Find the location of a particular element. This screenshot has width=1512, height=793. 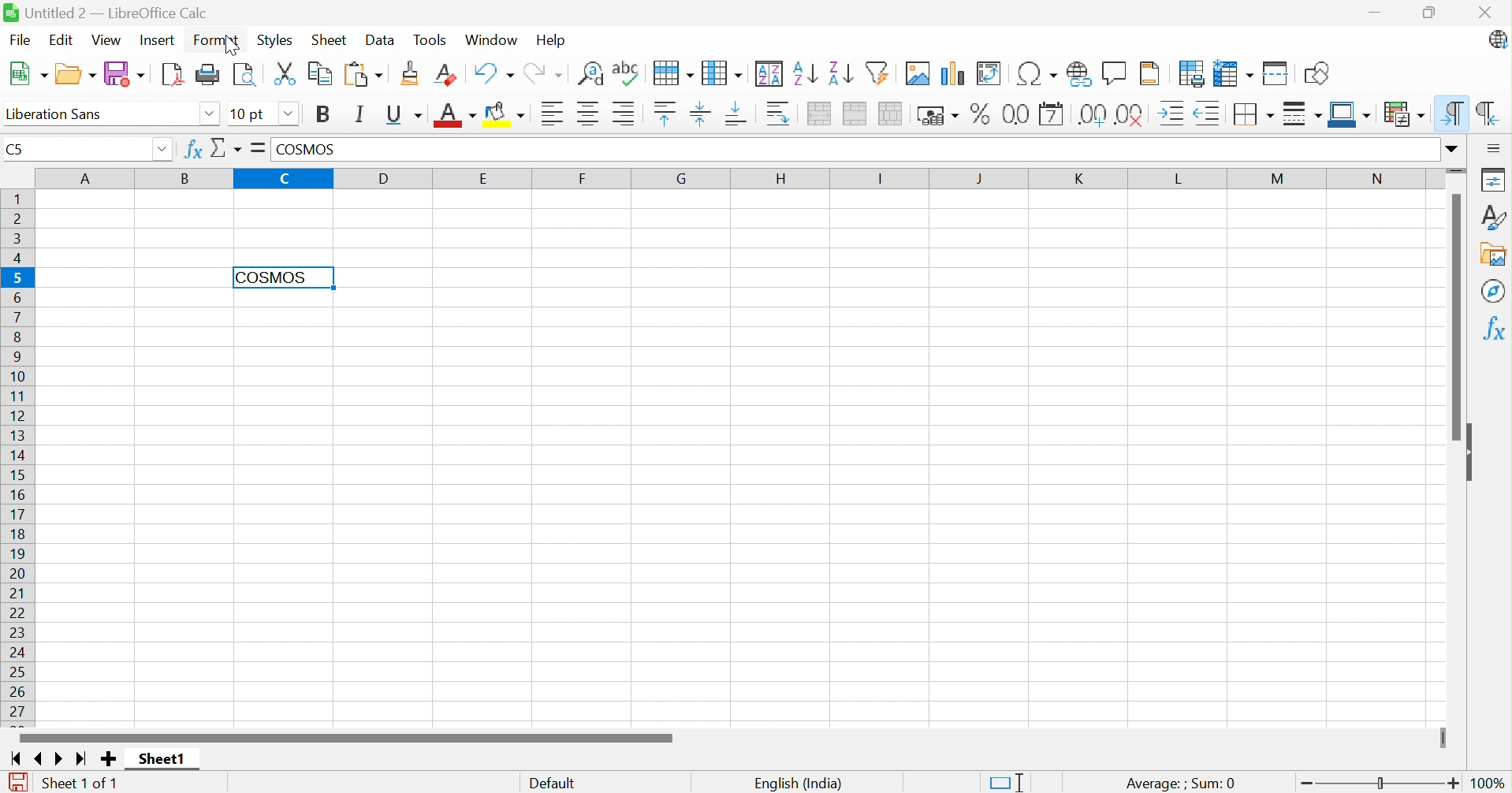

Freeze Rows and Columns is located at coordinates (1237, 72).